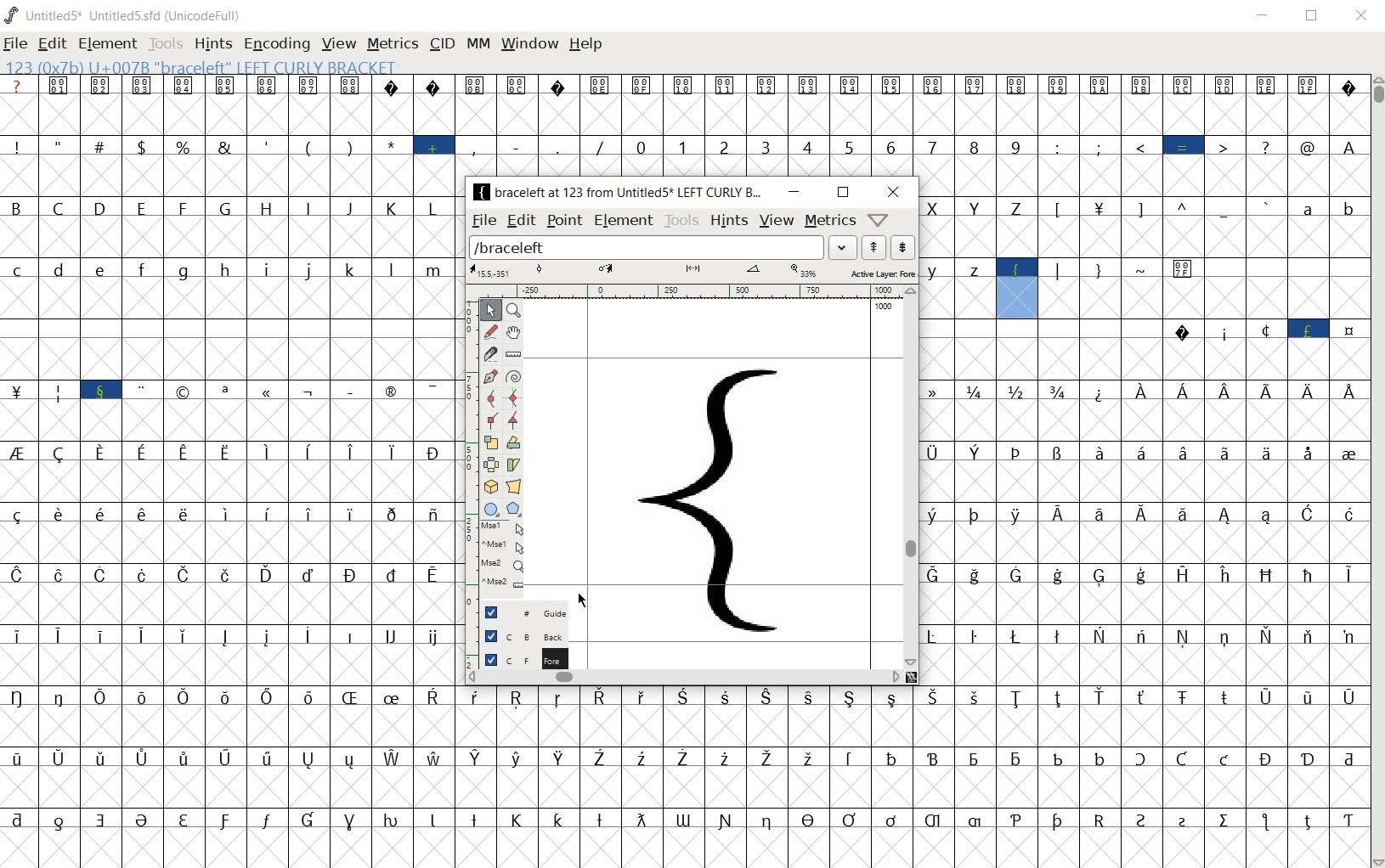  What do you see at coordinates (212, 44) in the screenshot?
I see `hints` at bounding box center [212, 44].